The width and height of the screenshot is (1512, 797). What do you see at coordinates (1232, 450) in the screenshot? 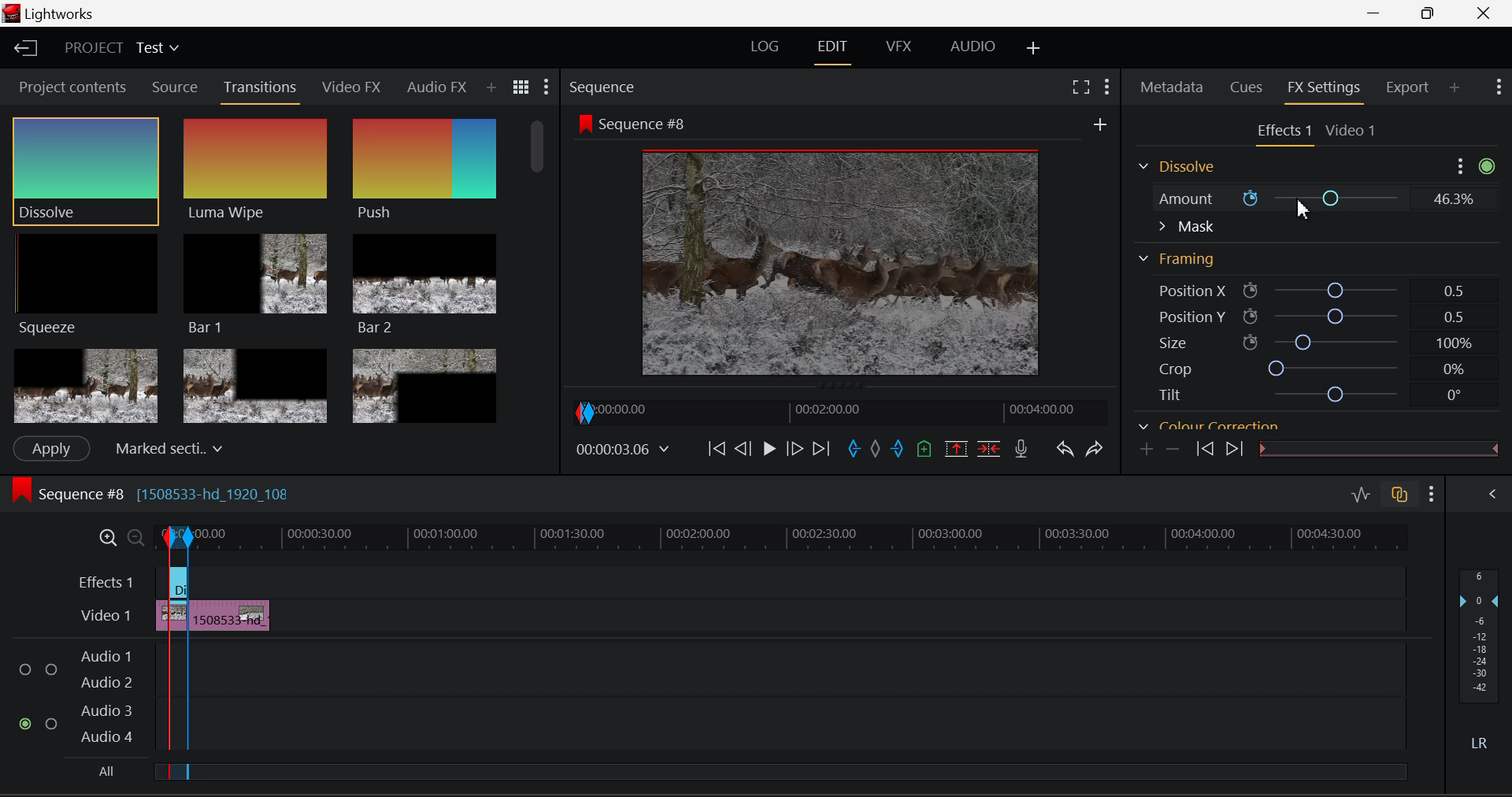
I see `Next keyframe` at bounding box center [1232, 450].